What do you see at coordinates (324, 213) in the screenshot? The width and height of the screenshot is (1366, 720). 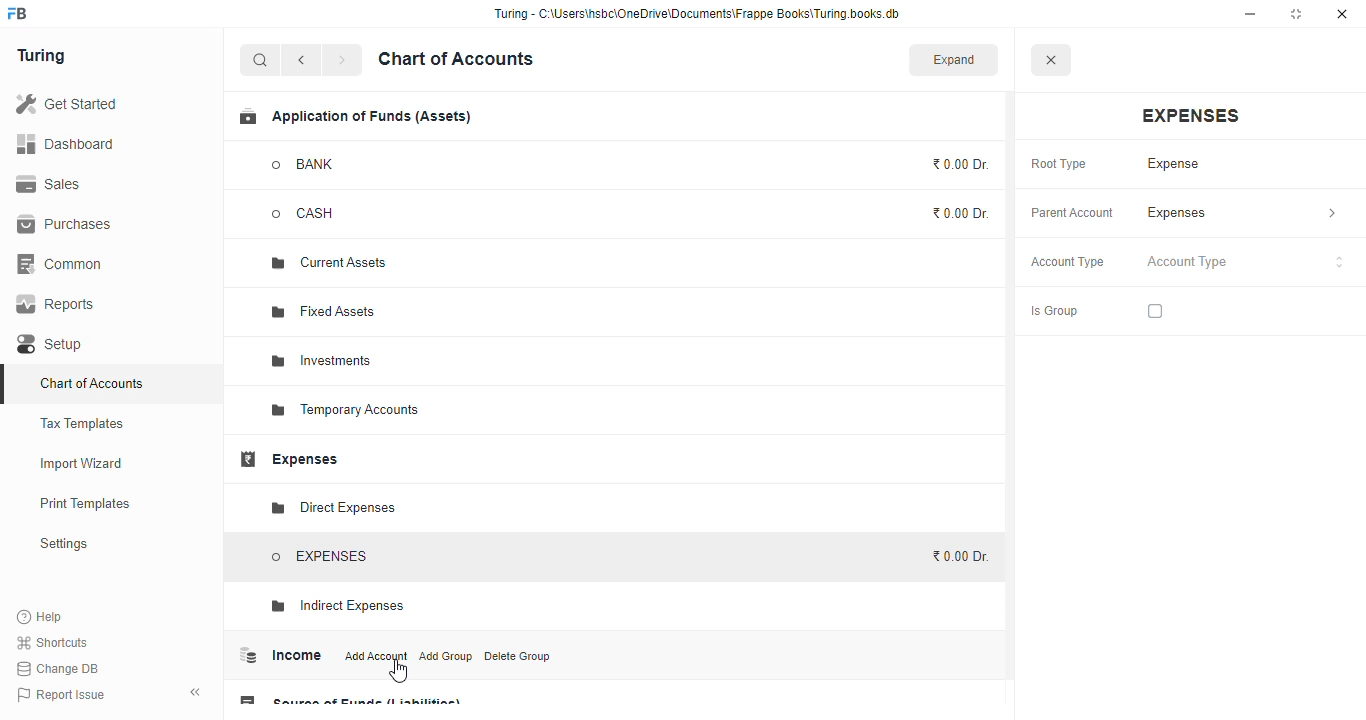 I see `CASH` at bounding box center [324, 213].